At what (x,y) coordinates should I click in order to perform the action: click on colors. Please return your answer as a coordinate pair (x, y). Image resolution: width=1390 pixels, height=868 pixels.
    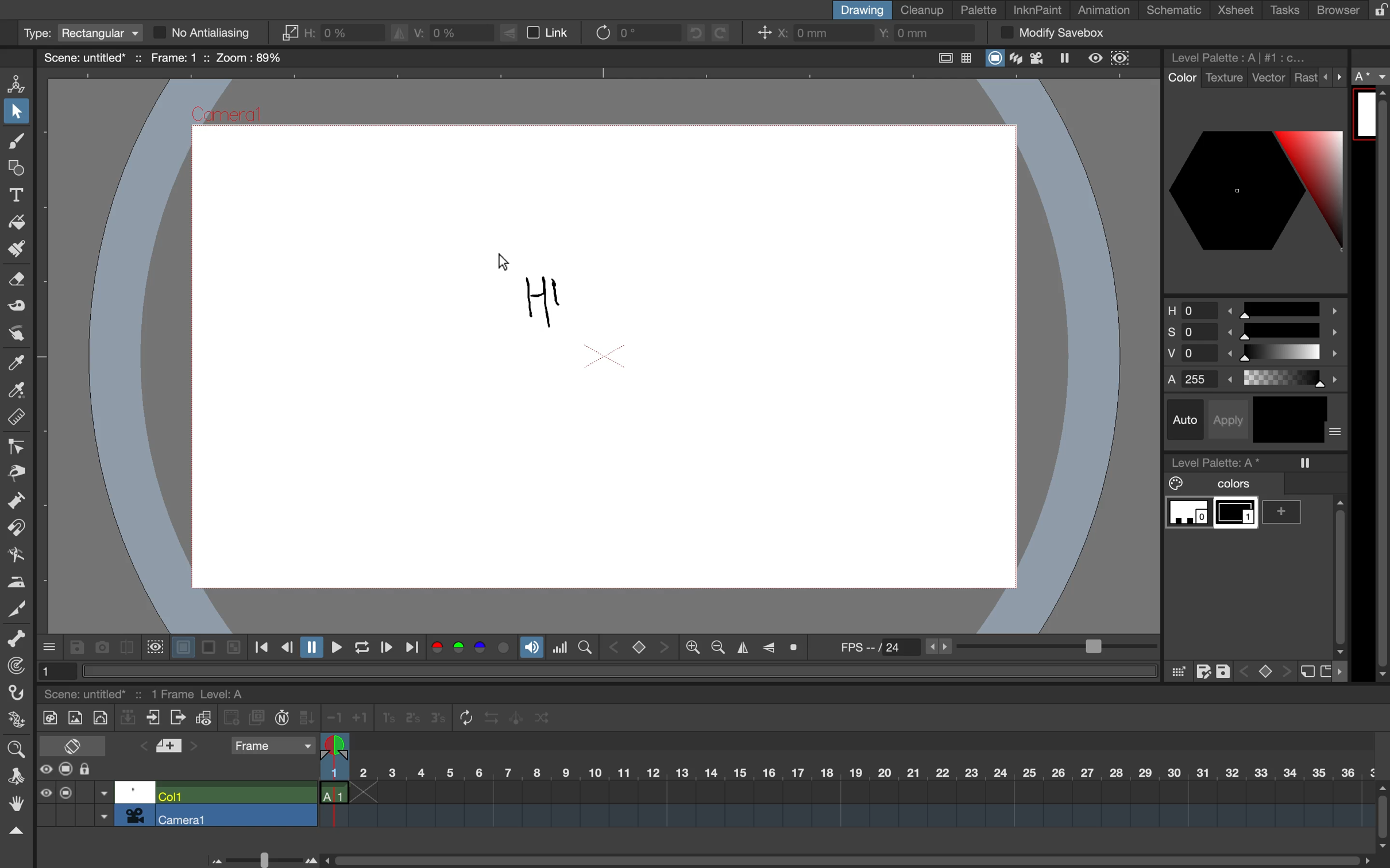
    Looking at the image, I should click on (472, 649).